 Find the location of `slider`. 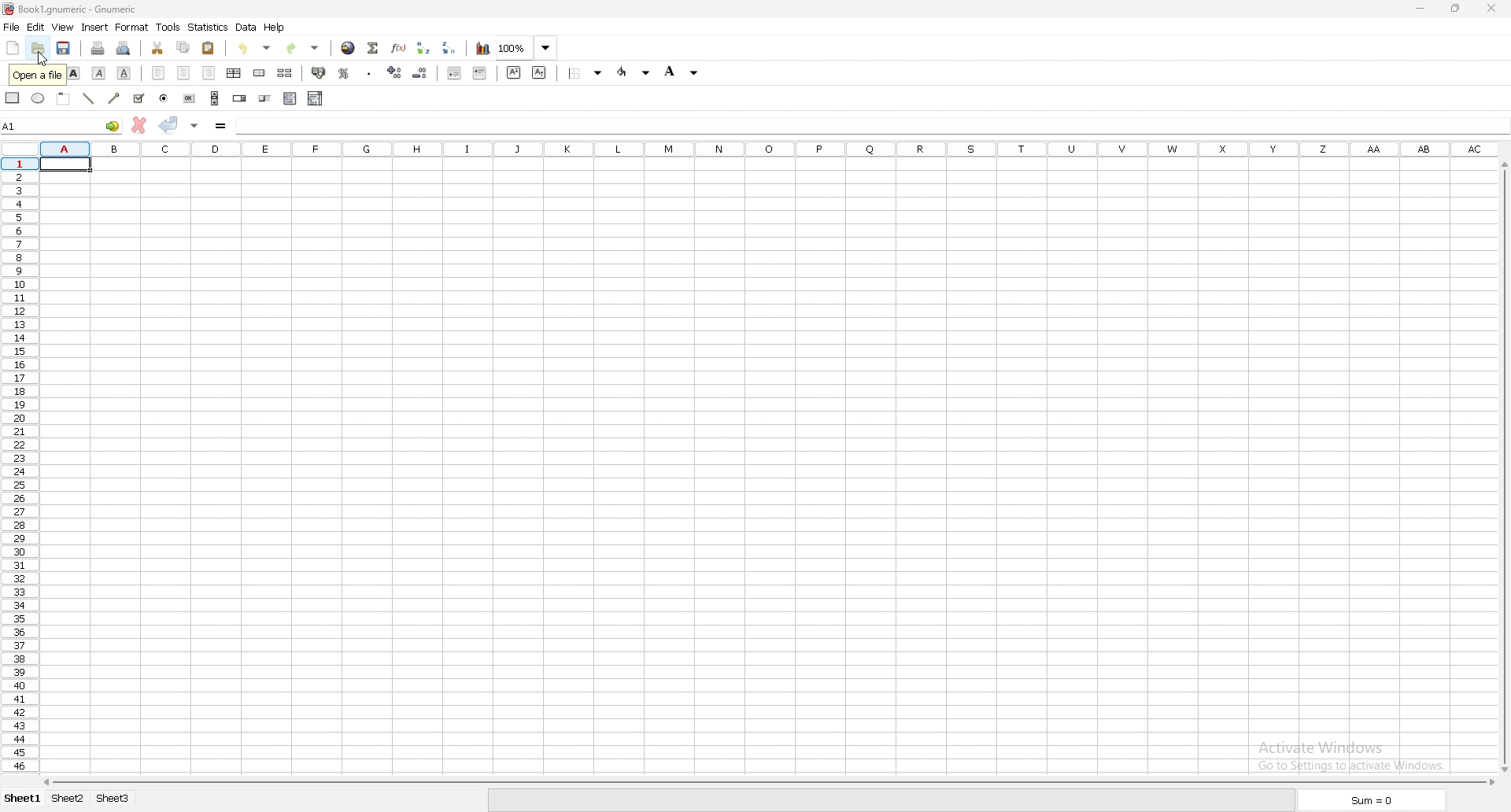

slider is located at coordinates (265, 98).